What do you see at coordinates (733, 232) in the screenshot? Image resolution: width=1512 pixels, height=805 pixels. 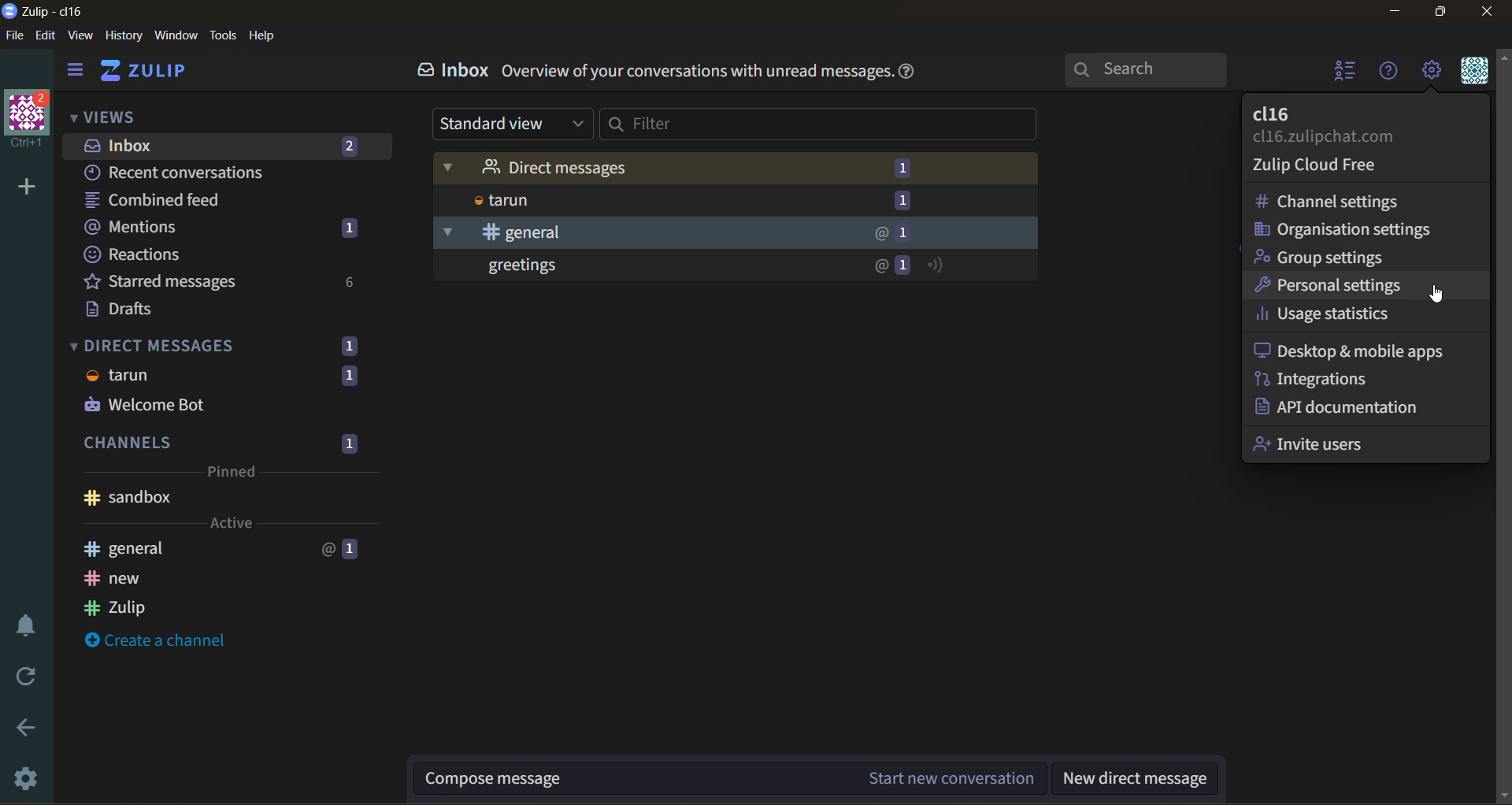 I see `general` at bounding box center [733, 232].